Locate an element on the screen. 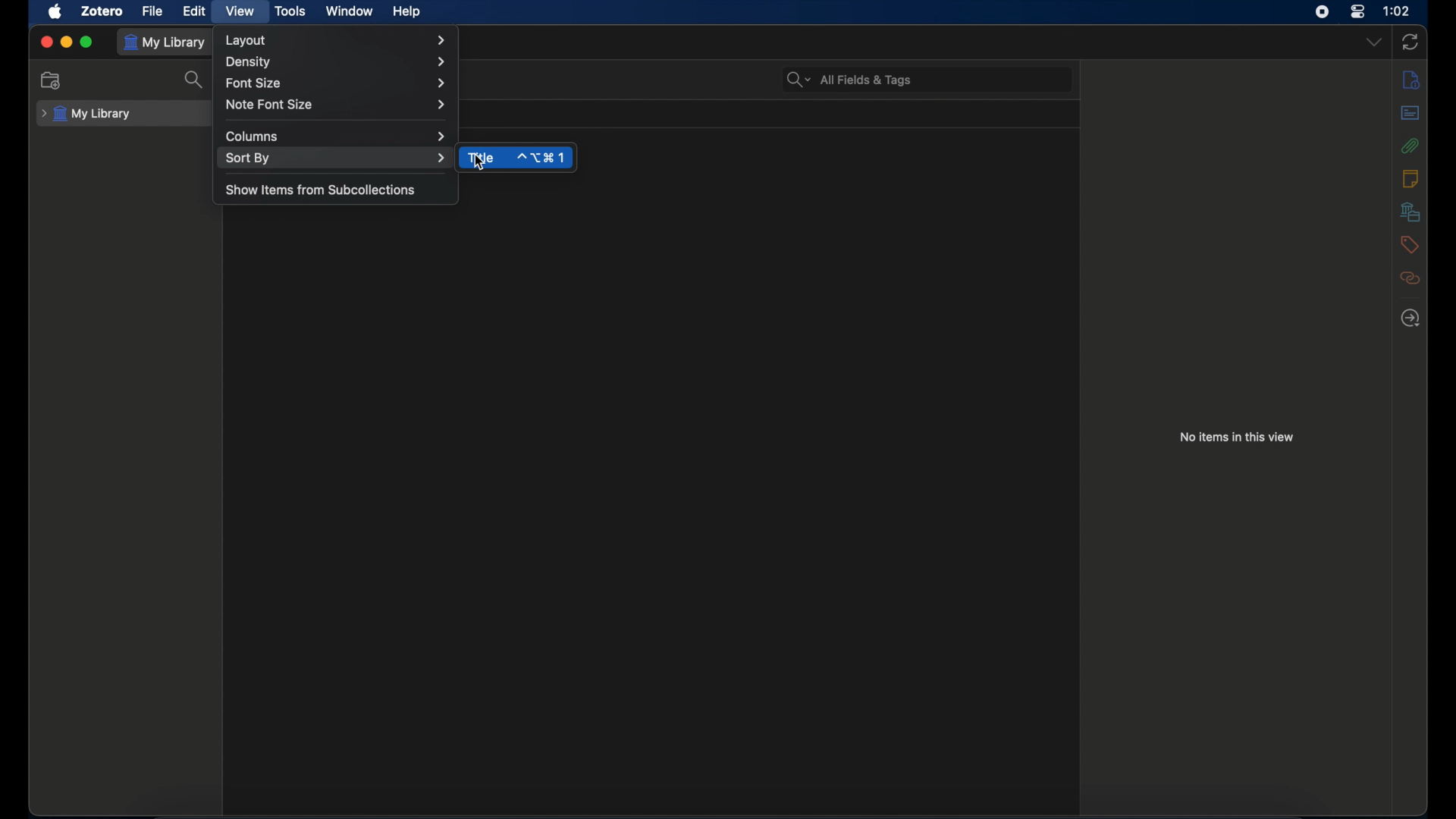 This screenshot has width=1456, height=819. search is located at coordinates (193, 81).